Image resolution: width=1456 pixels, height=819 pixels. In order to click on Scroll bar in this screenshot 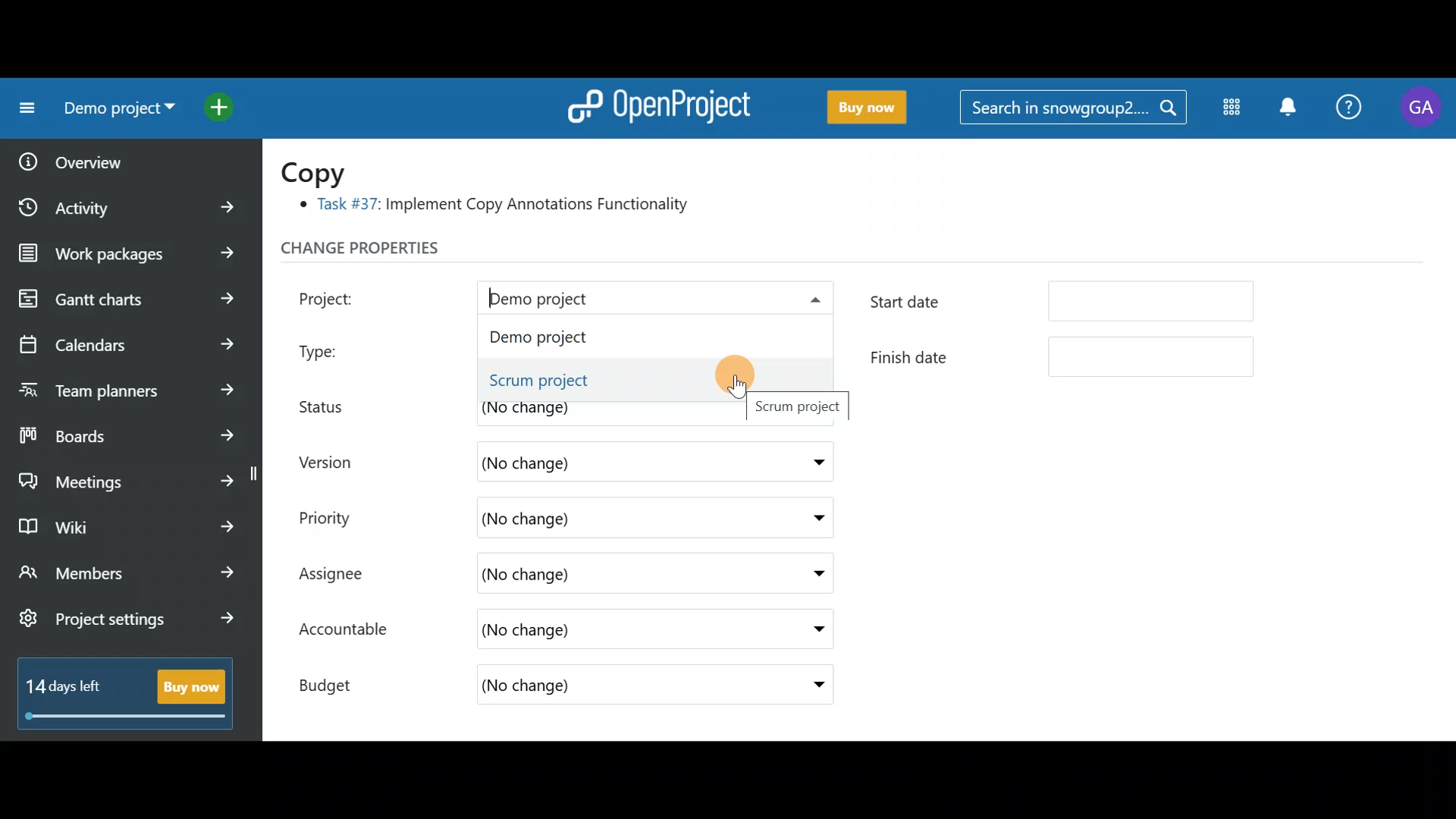, I will do `click(1447, 441)`.